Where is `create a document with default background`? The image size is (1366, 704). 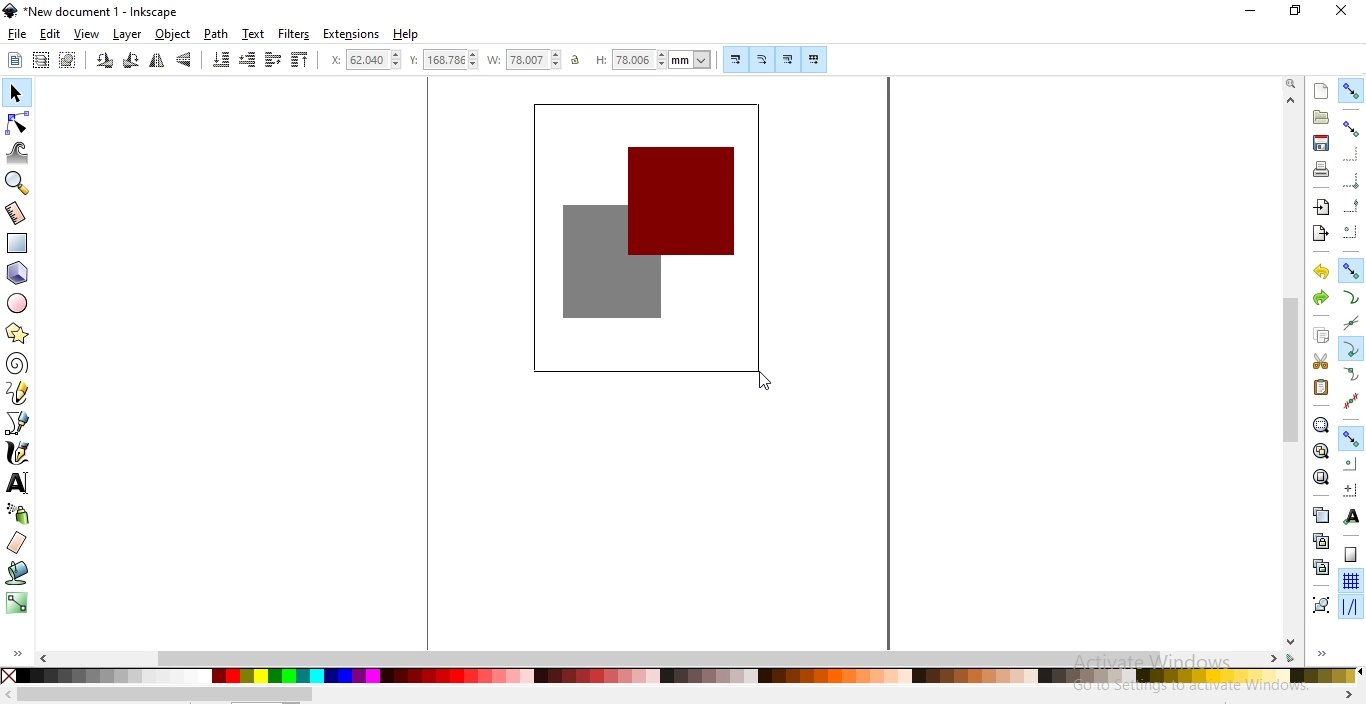 create a document with default background is located at coordinates (1321, 91).